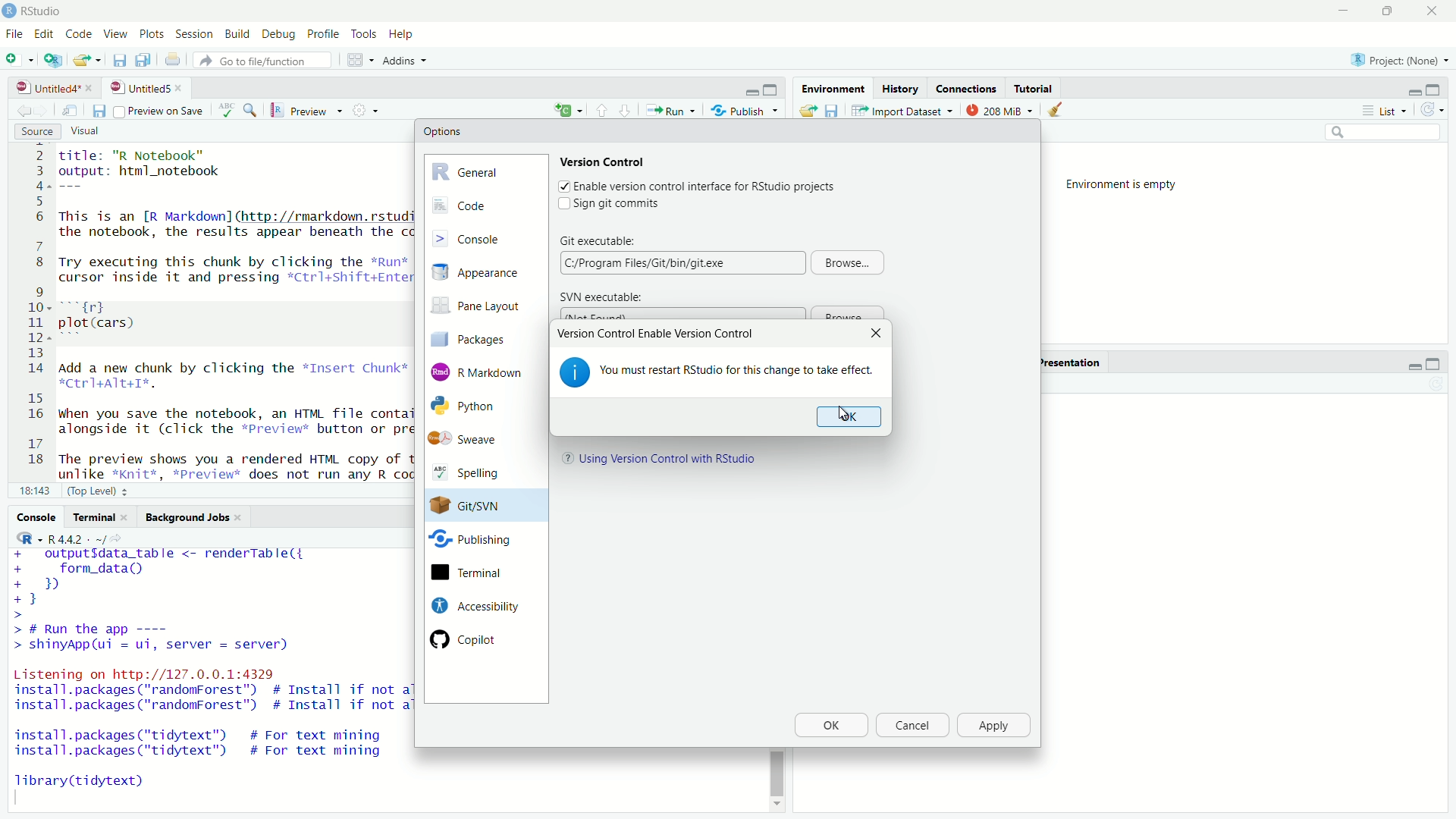 The width and height of the screenshot is (1456, 819). I want to click on settings, so click(369, 110).